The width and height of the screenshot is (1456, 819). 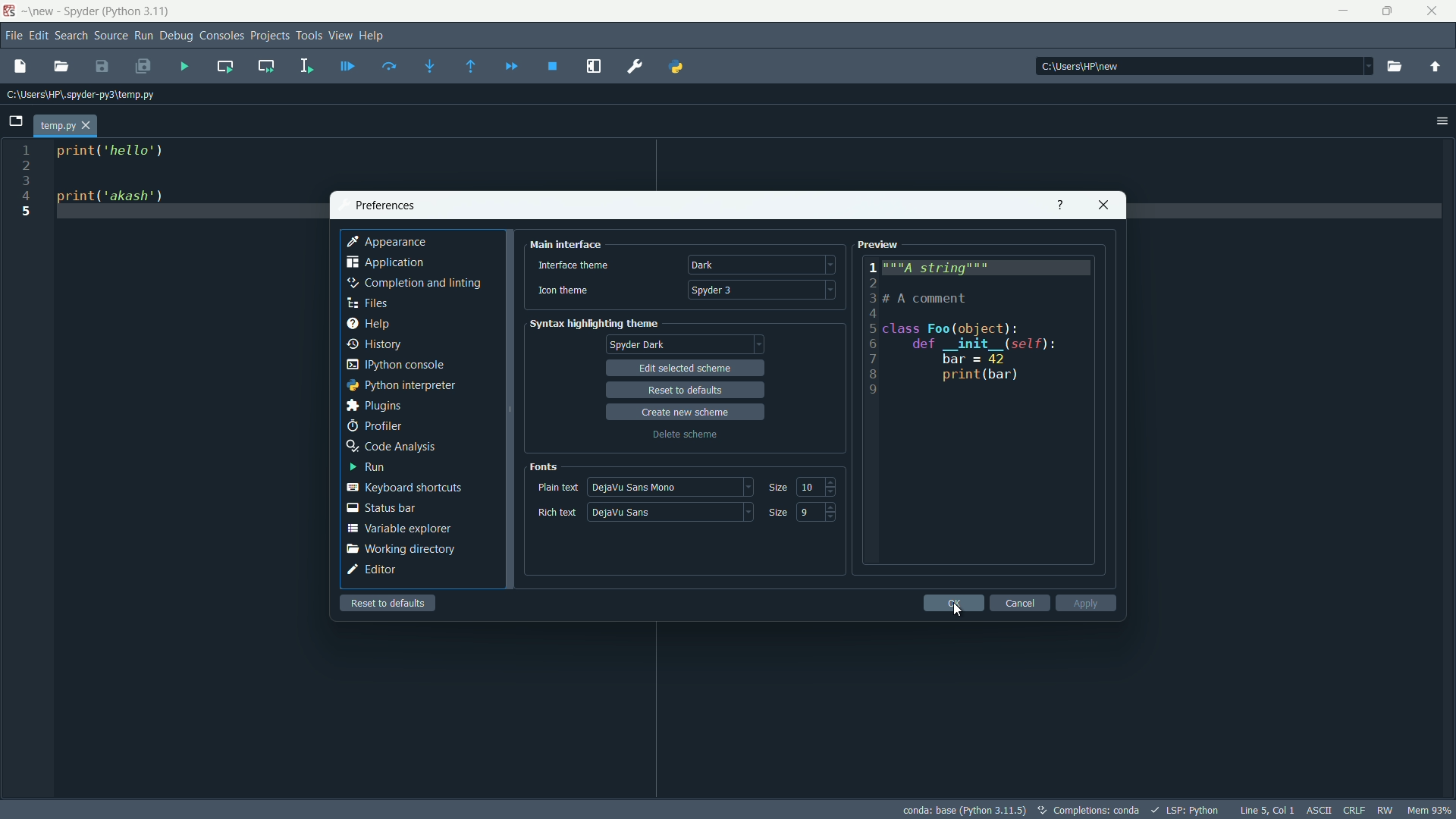 I want to click on view menu, so click(x=340, y=35).